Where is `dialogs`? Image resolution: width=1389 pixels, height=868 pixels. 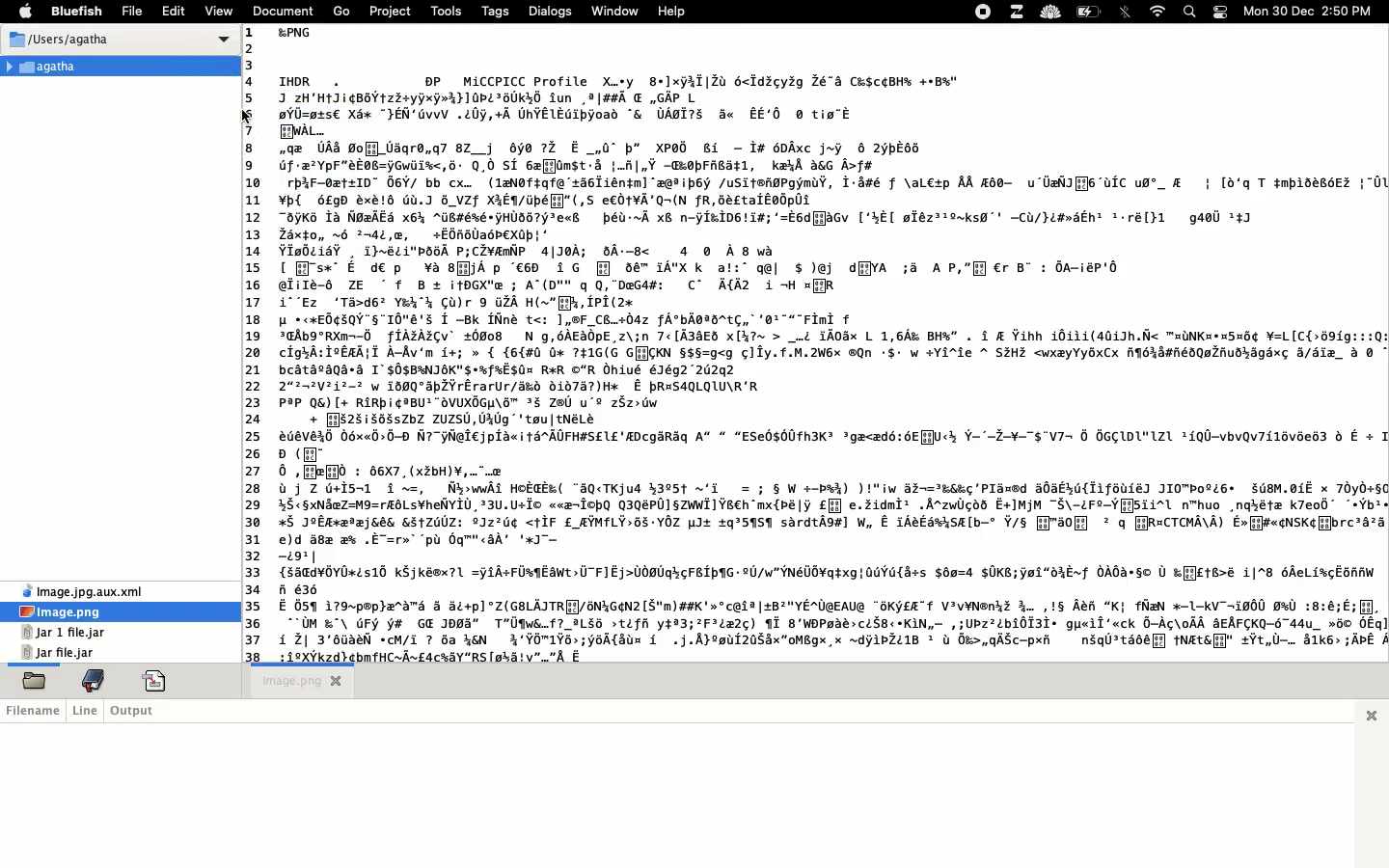
dialogs is located at coordinates (551, 11).